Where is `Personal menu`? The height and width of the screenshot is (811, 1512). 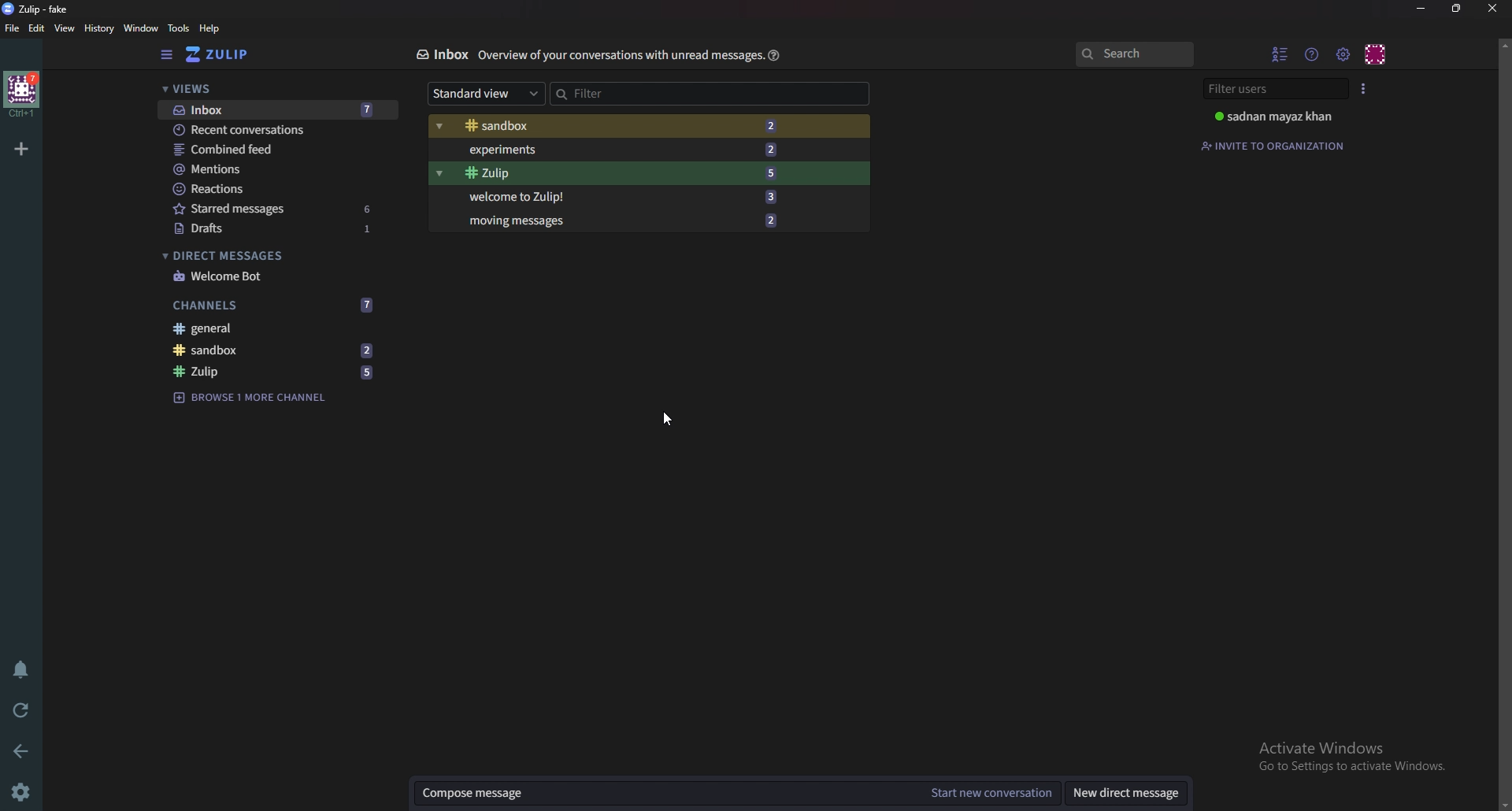 Personal menu is located at coordinates (1377, 53).